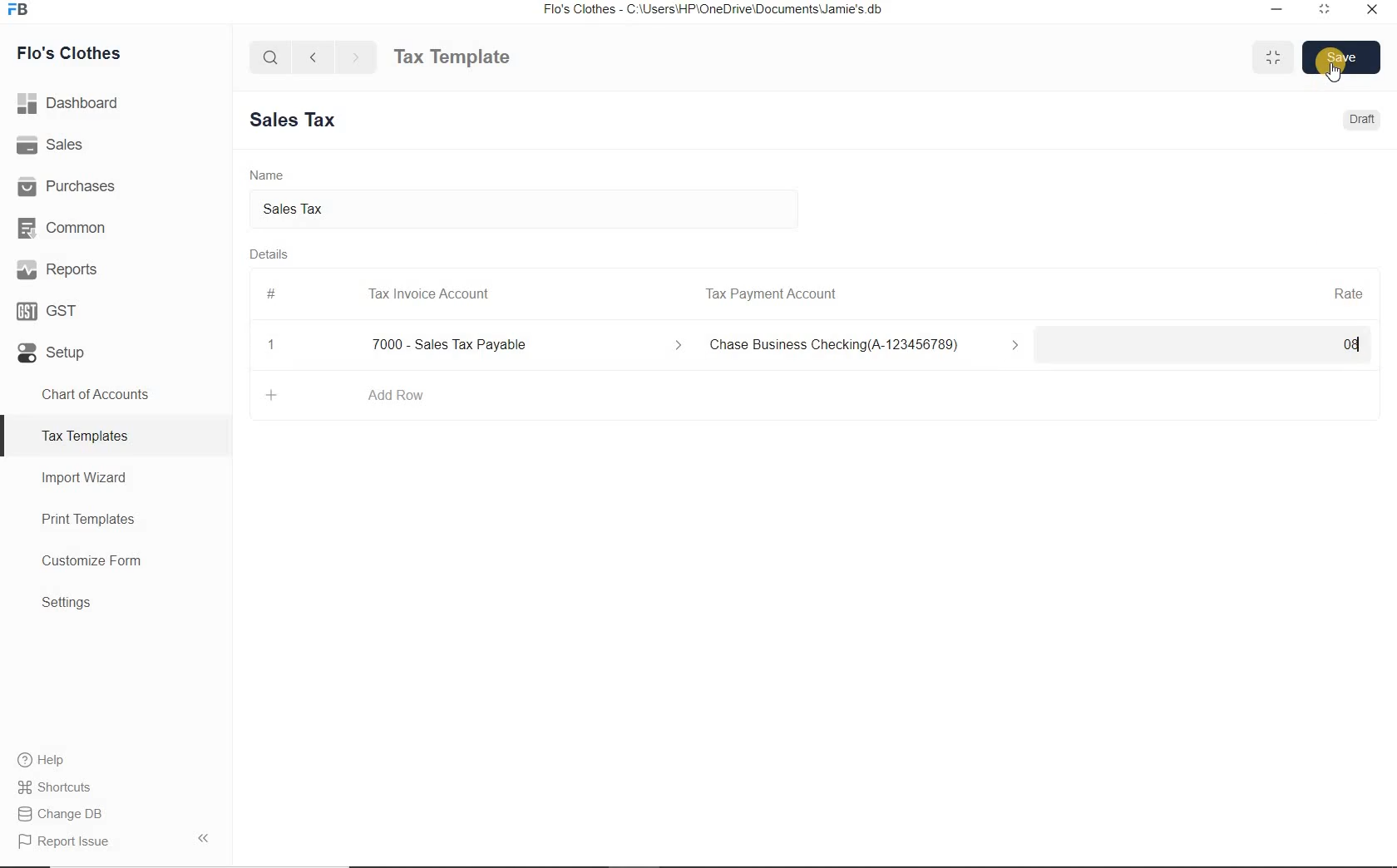 The image size is (1397, 868). Describe the element at coordinates (17, 10) in the screenshot. I see `FB Logo` at that location.